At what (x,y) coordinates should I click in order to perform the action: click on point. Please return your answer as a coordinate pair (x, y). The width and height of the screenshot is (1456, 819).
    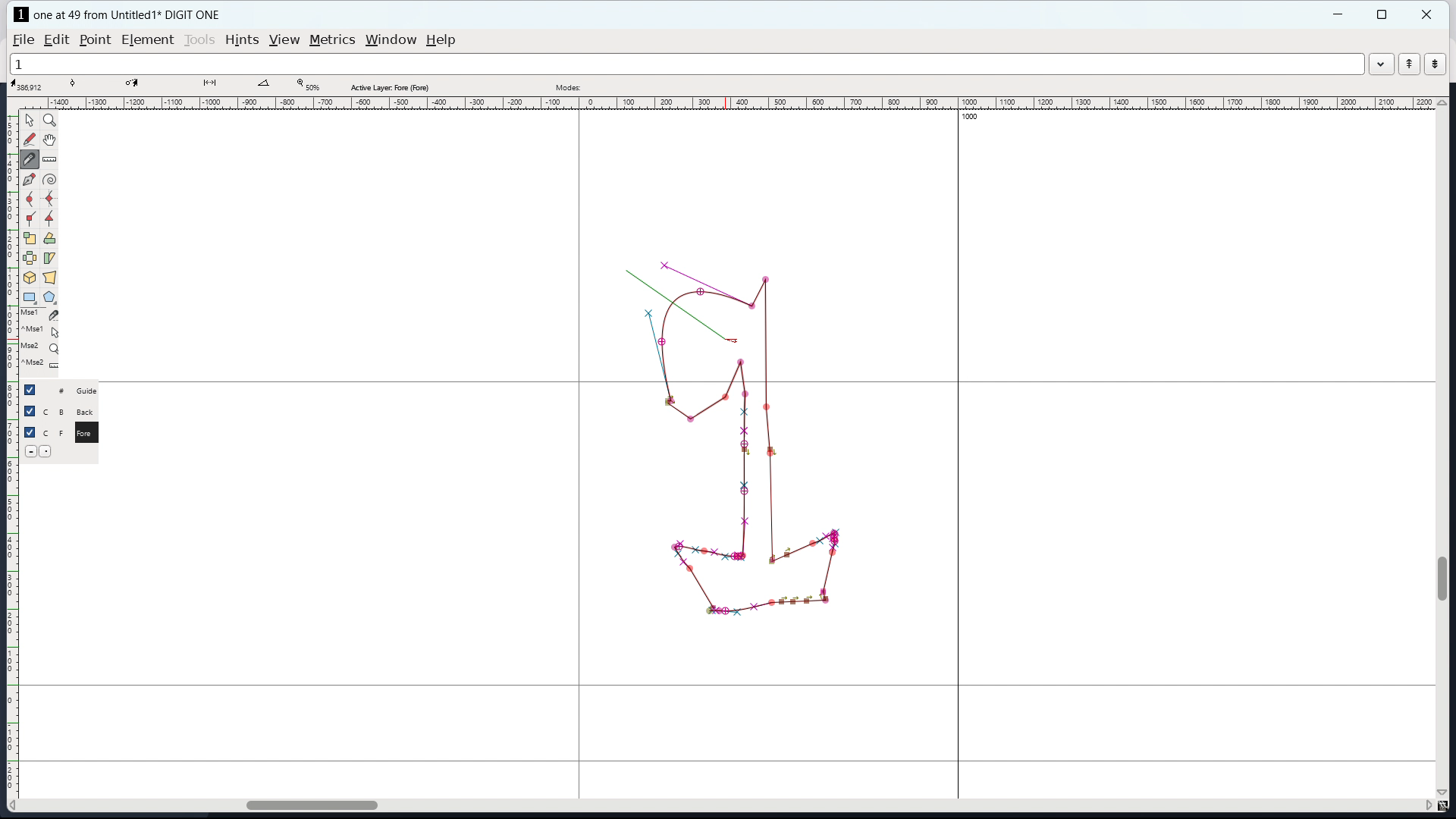
    Looking at the image, I should click on (96, 40).